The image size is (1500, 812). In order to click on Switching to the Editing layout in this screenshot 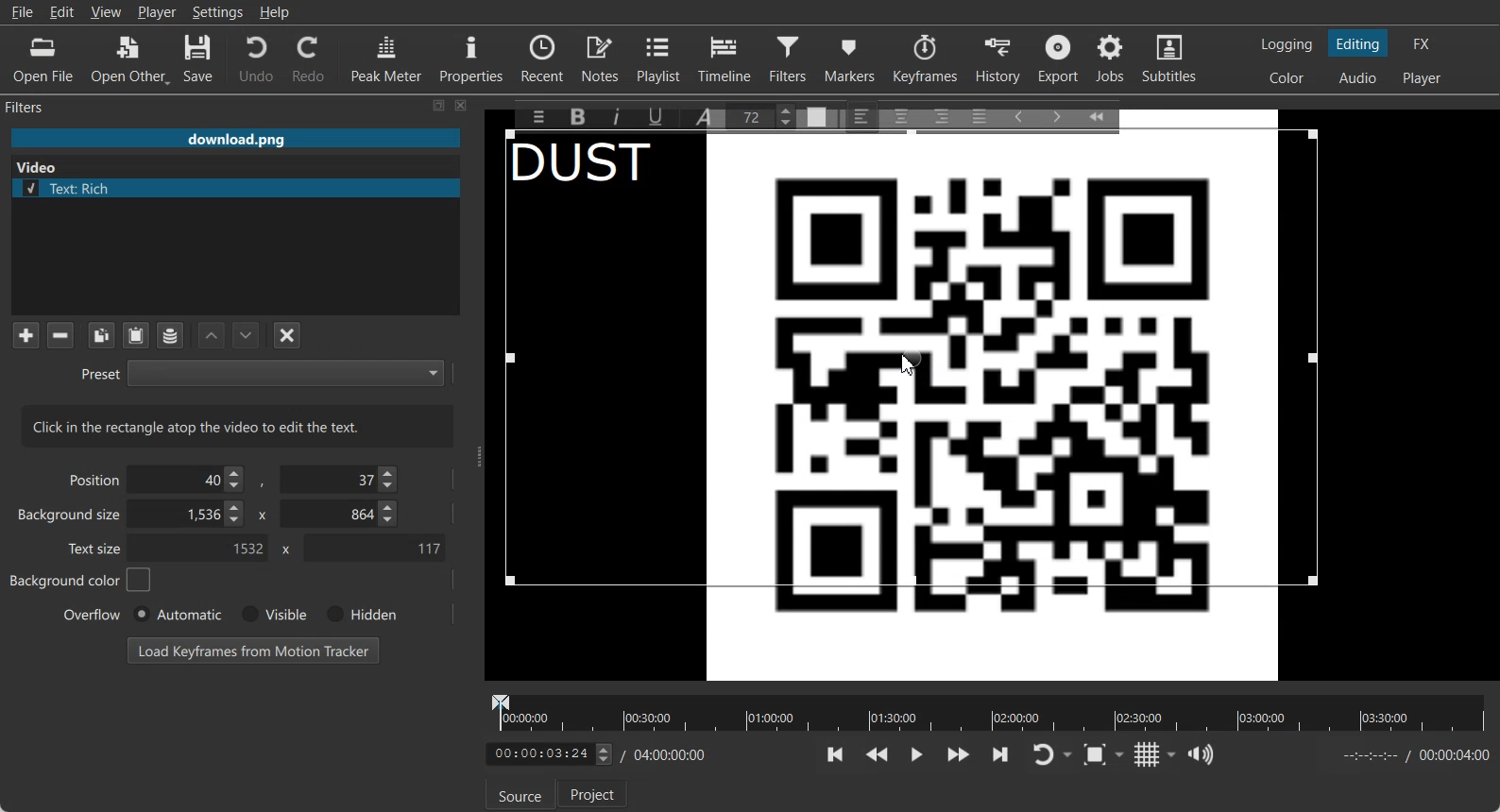, I will do `click(1358, 44)`.